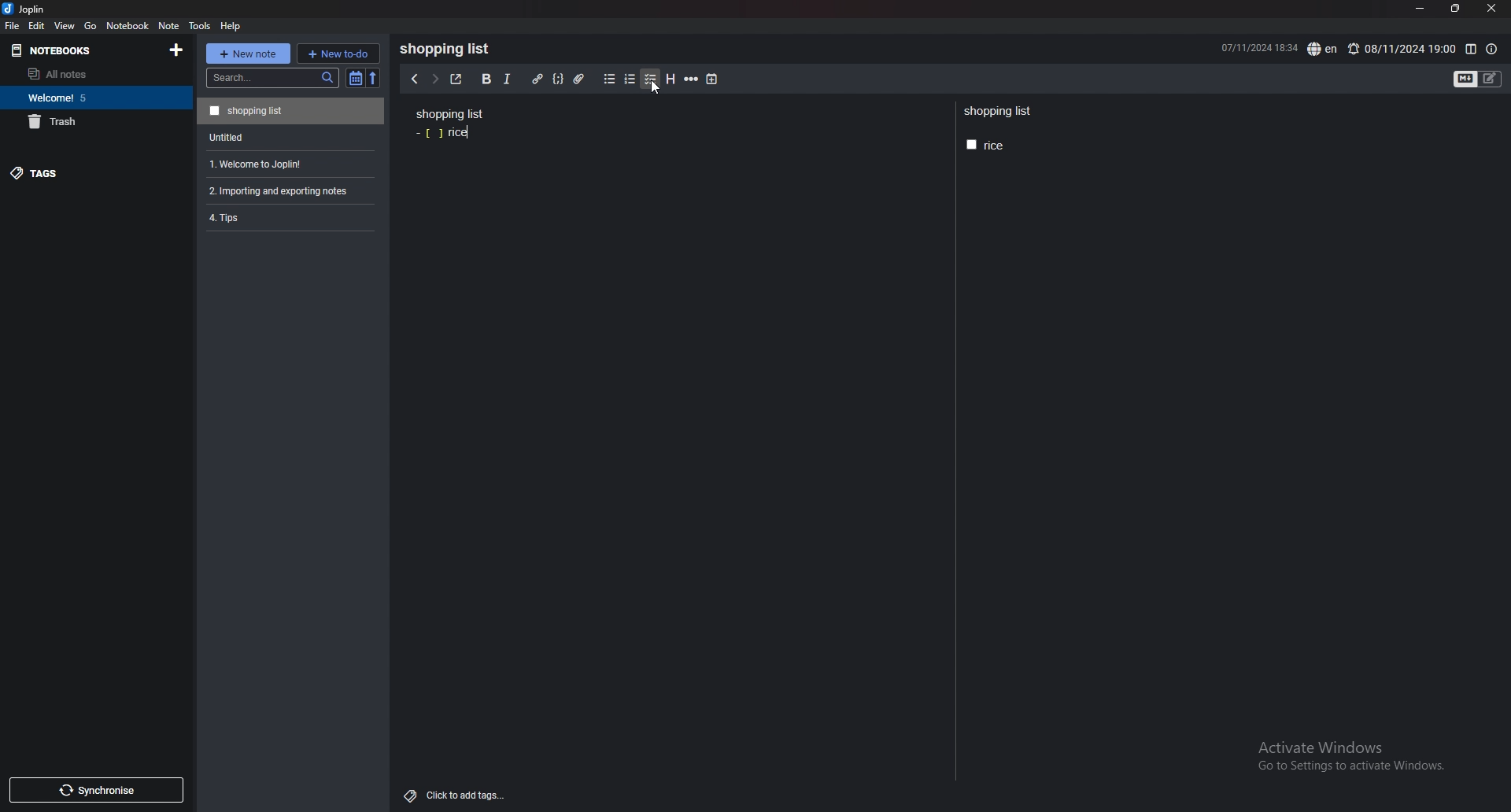 The height and width of the screenshot is (812, 1511). I want to click on Shopping list, so click(290, 110).